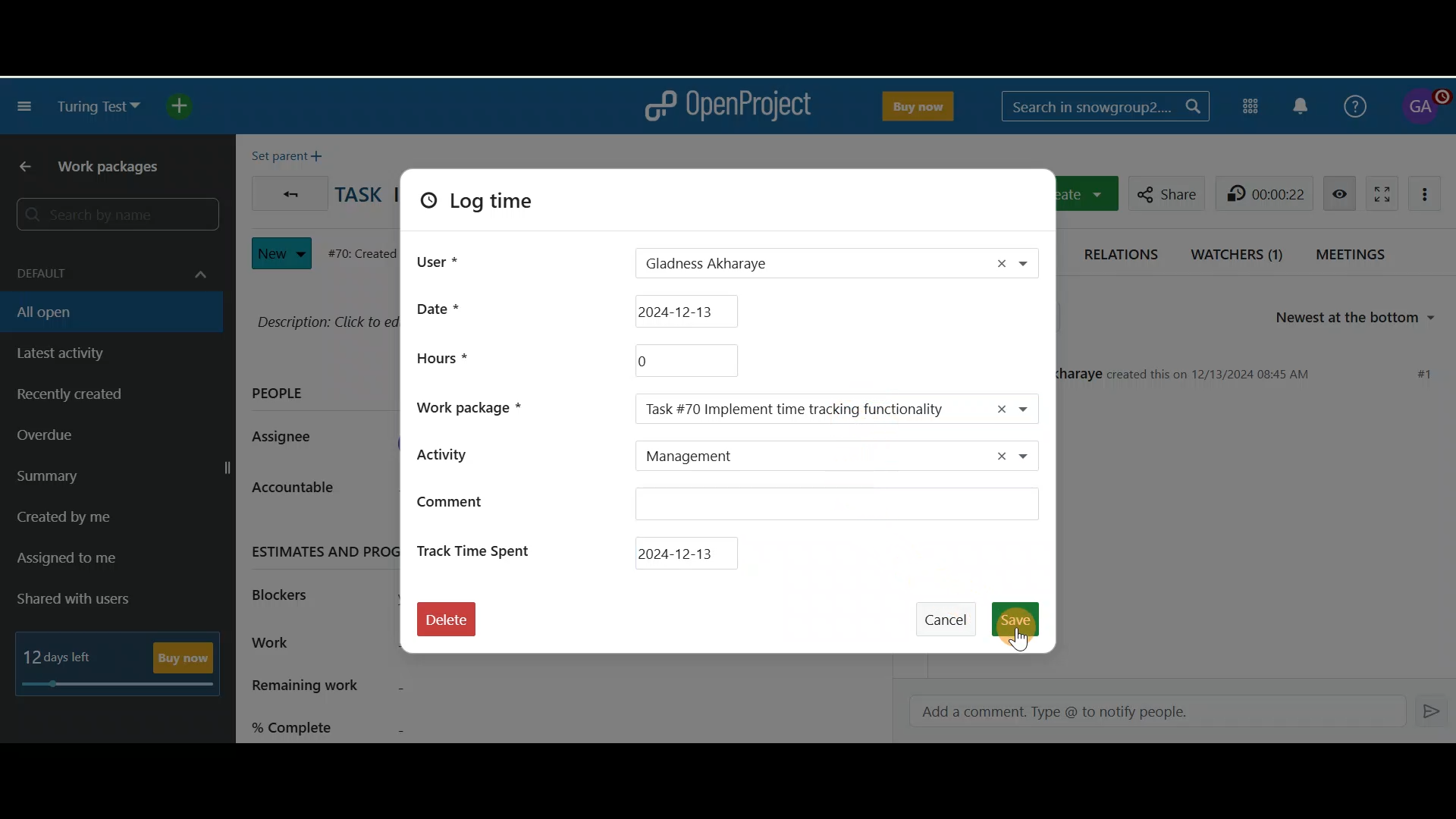  What do you see at coordinates (291, 152) in the screenshot?
I see `Set parent +` at bounding box center [291, 152].